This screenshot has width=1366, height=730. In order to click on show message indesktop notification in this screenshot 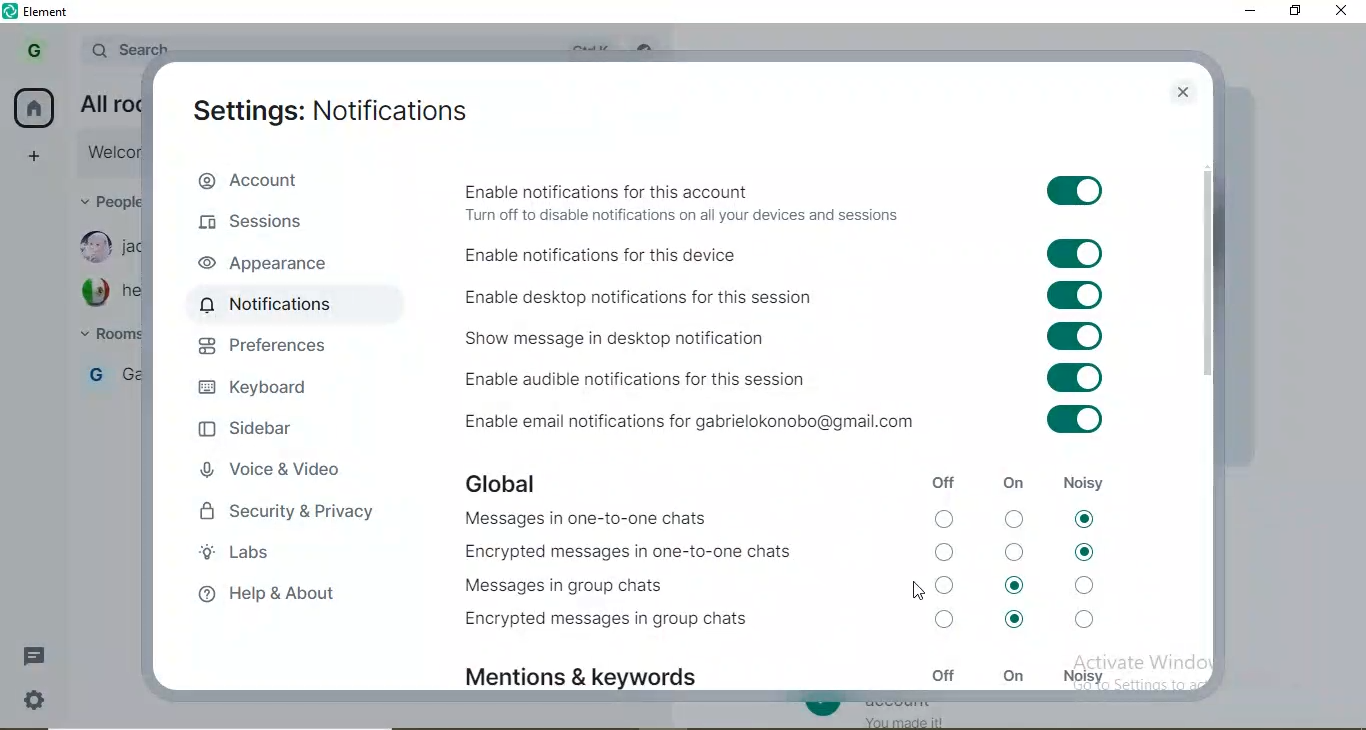, I will do `click(723, 337)`.